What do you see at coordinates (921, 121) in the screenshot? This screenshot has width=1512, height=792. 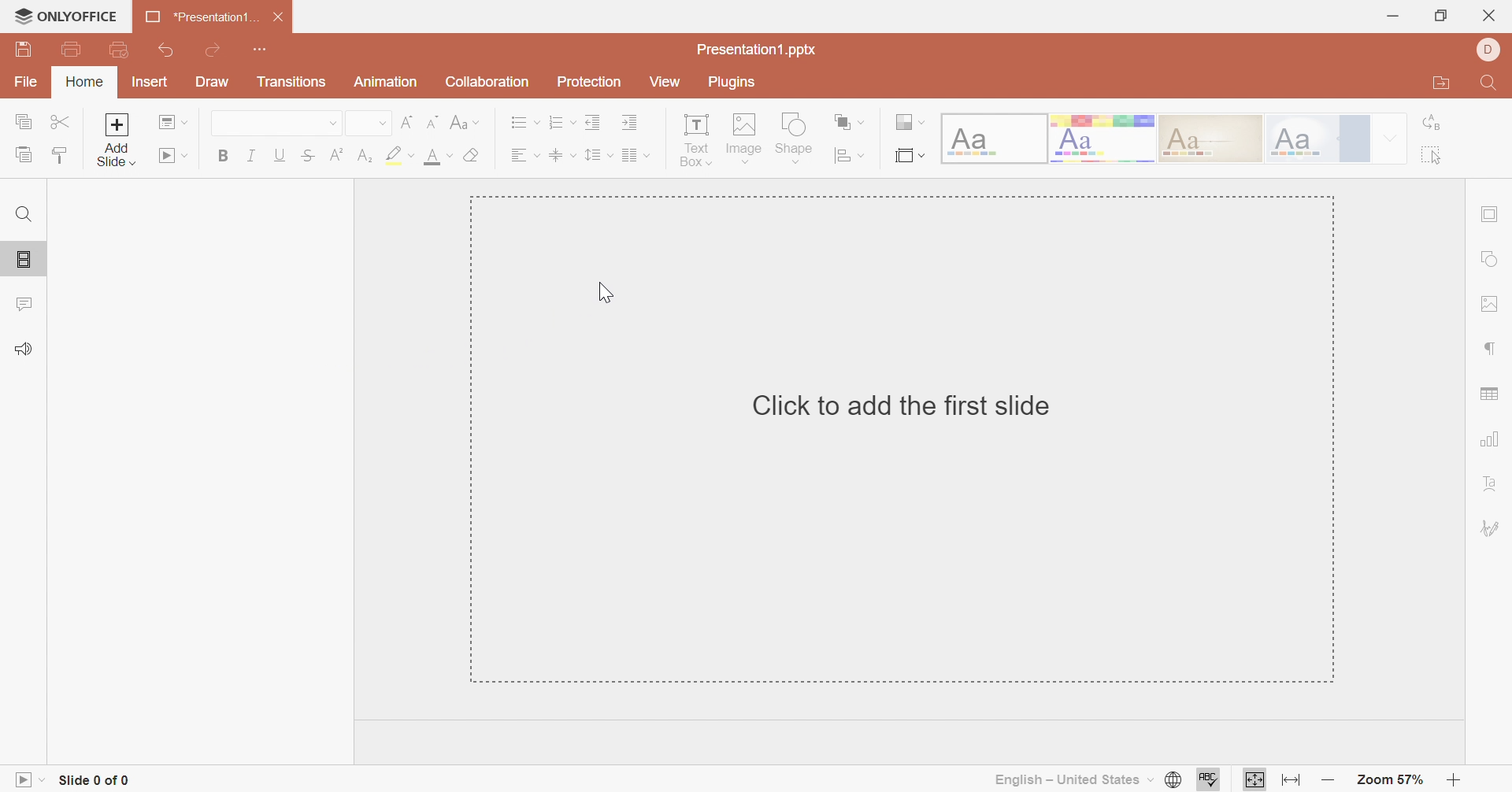 I see `Drop Down` at bounding box center [921, 121].